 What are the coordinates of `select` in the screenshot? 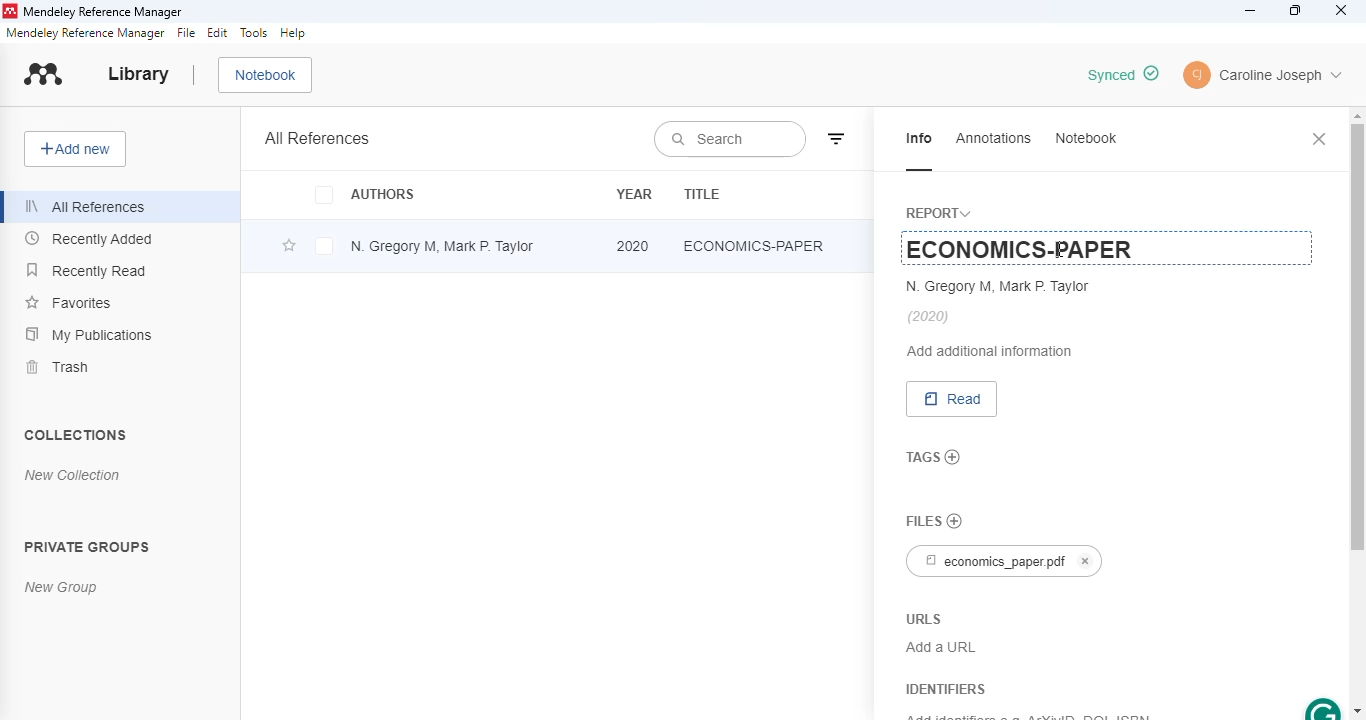 It's located at (324, 246).